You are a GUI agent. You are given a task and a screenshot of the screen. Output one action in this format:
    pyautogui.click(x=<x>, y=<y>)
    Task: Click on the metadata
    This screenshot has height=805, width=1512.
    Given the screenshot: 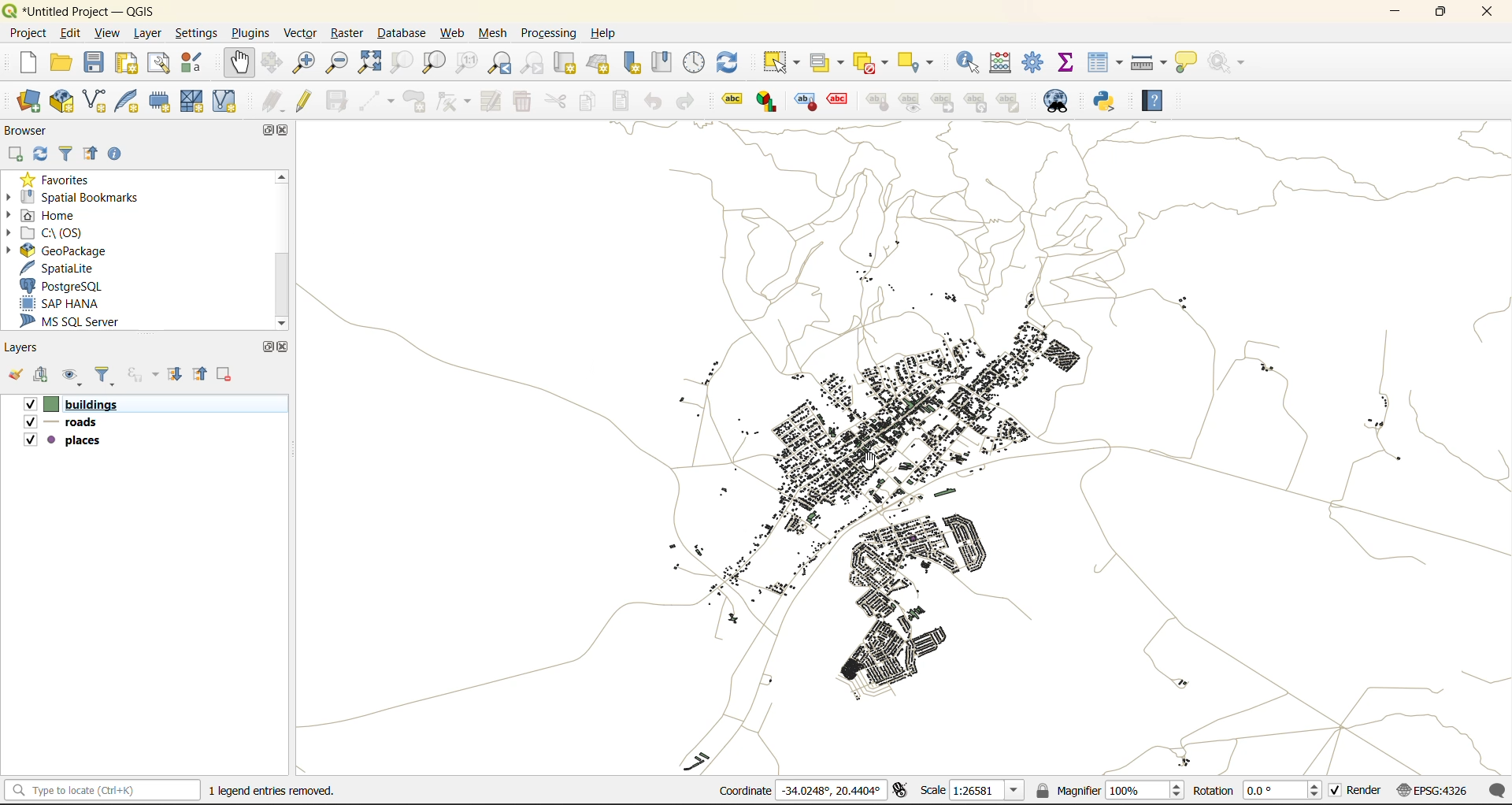 What is the action you would take?
    pyautogui.click(x=270, y=793)
    